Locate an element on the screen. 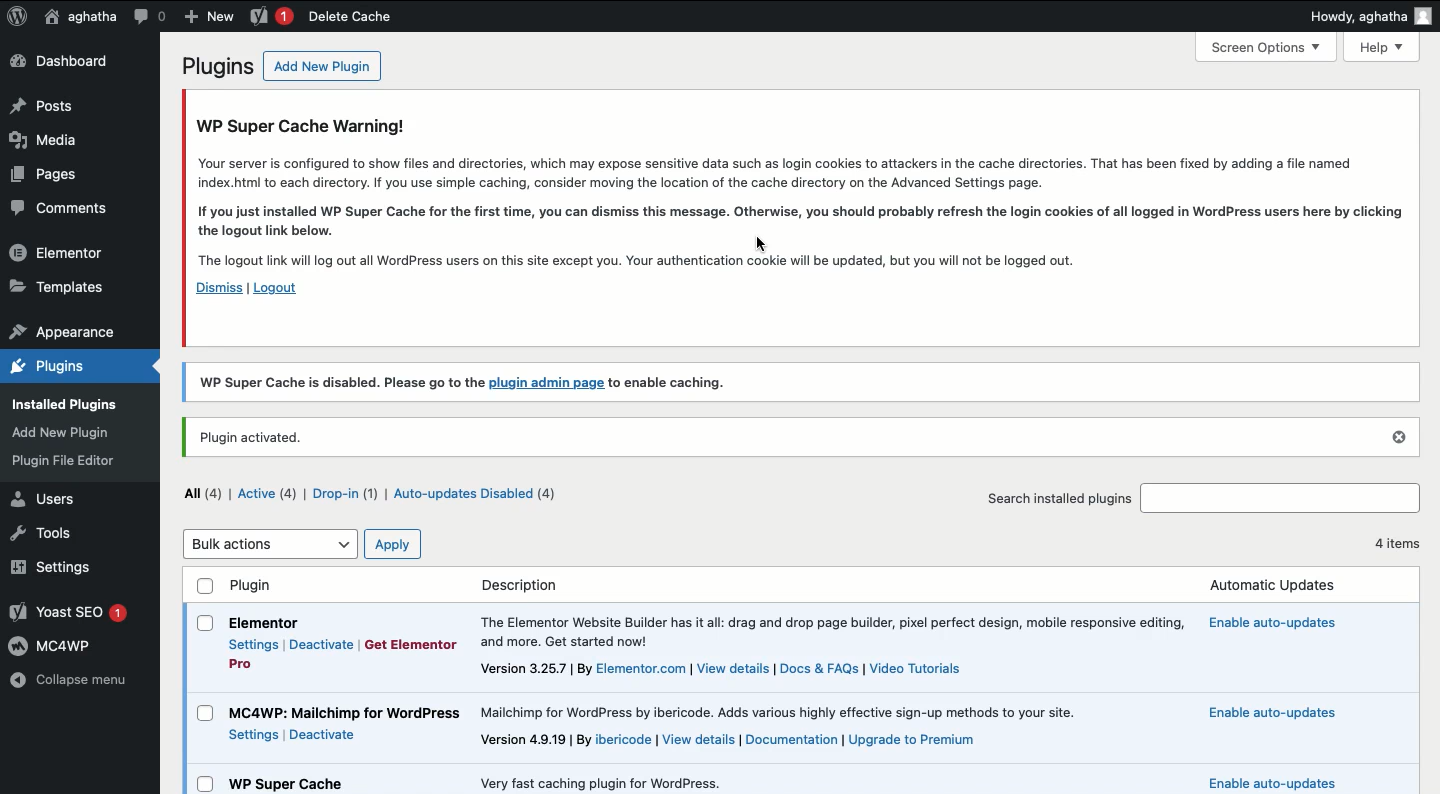 Image resolution: width=1440 pixels, height=794 pixels. Settings is located at coordinates (60, 568).